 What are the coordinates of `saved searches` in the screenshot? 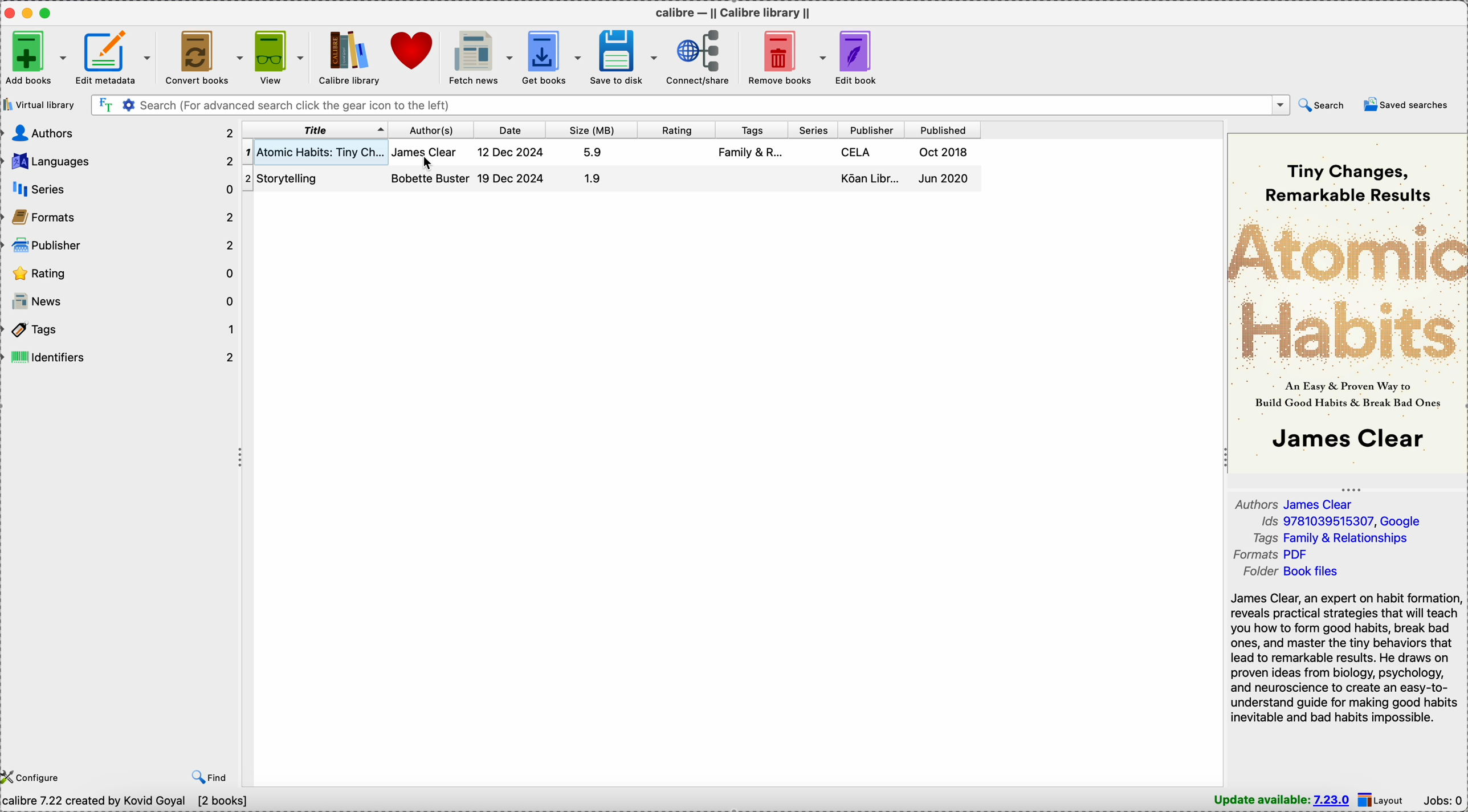 It's located at (1406, 104).